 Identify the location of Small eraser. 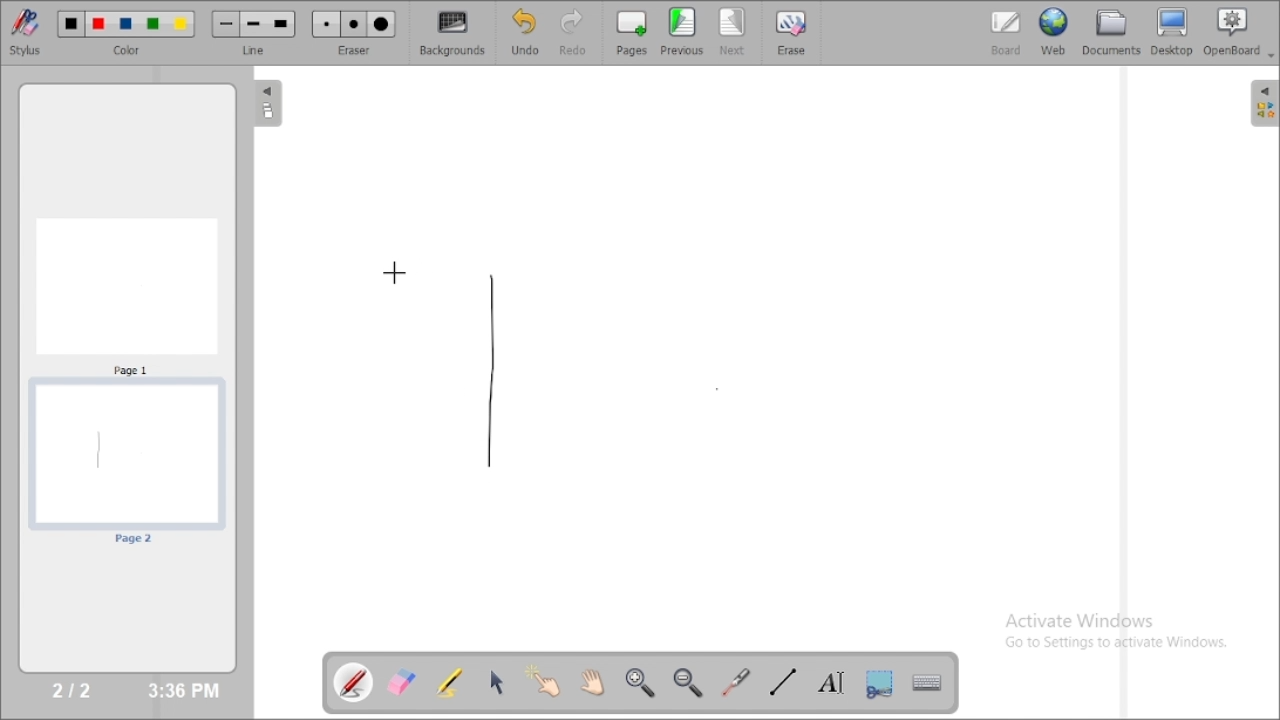
(326, 25).